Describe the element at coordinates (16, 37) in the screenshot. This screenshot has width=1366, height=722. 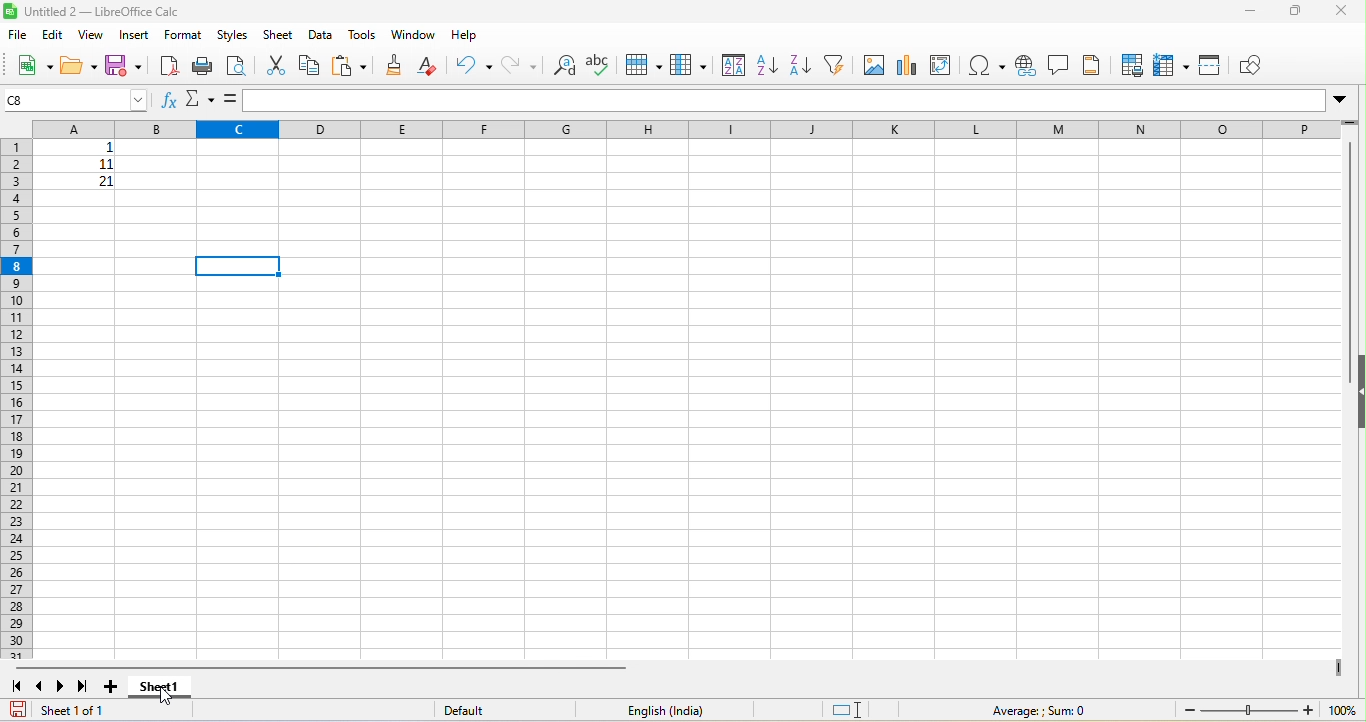
I see `file` at that location.